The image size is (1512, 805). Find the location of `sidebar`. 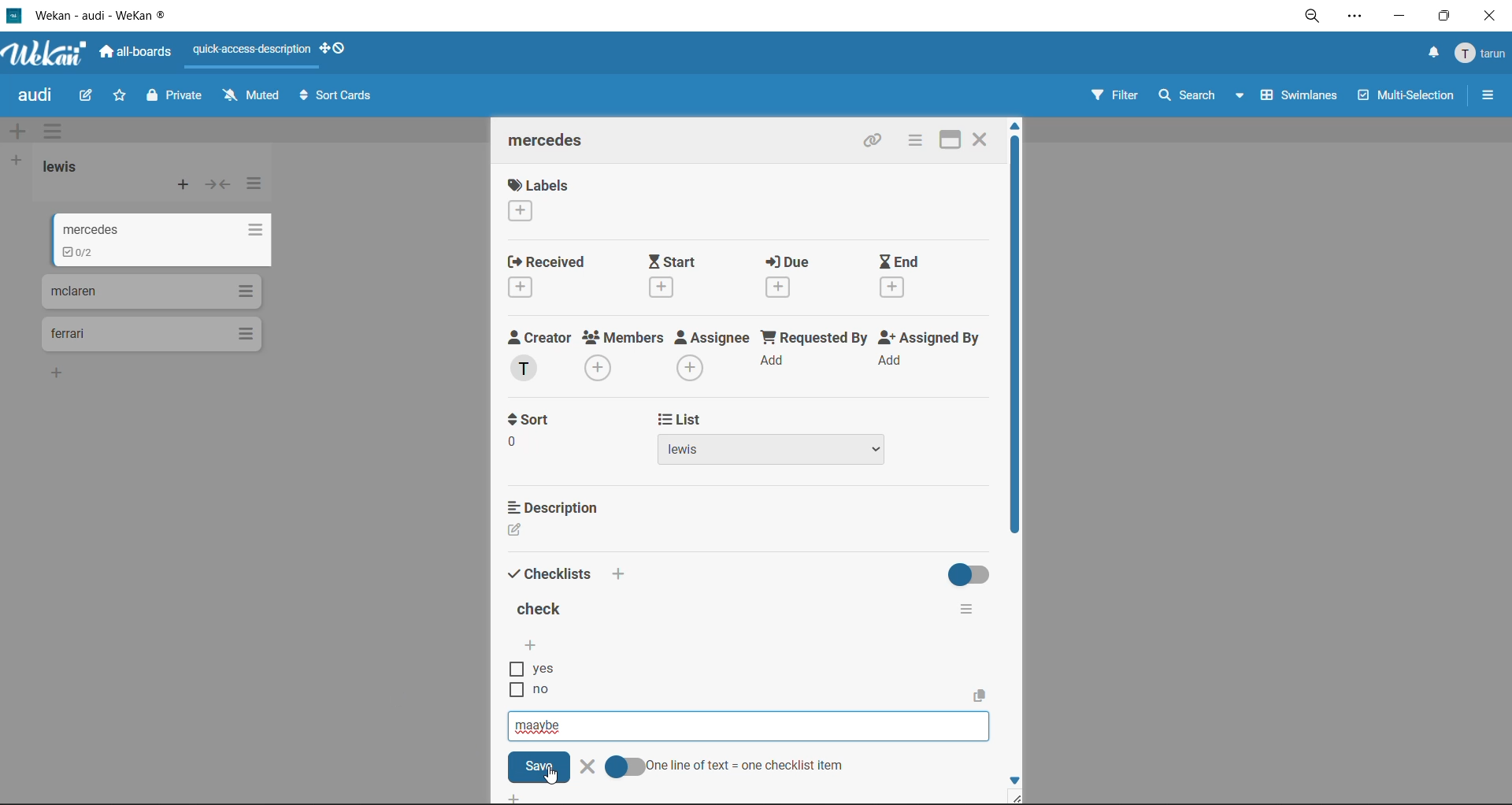

sidebar is located at coordinates (1488, 96).